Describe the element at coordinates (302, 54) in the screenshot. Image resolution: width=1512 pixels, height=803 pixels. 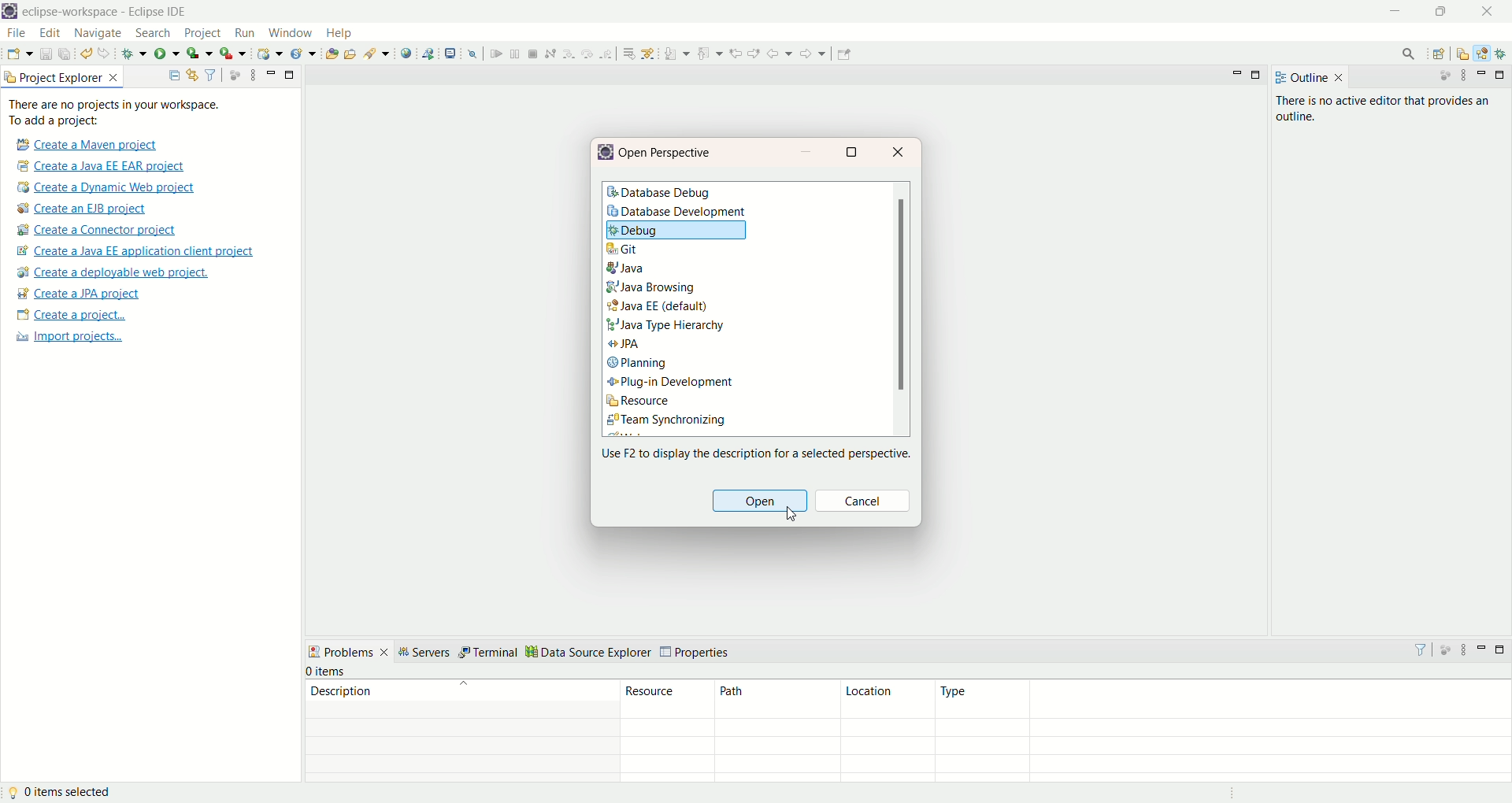
I see `create a new Java servlet` at that location.